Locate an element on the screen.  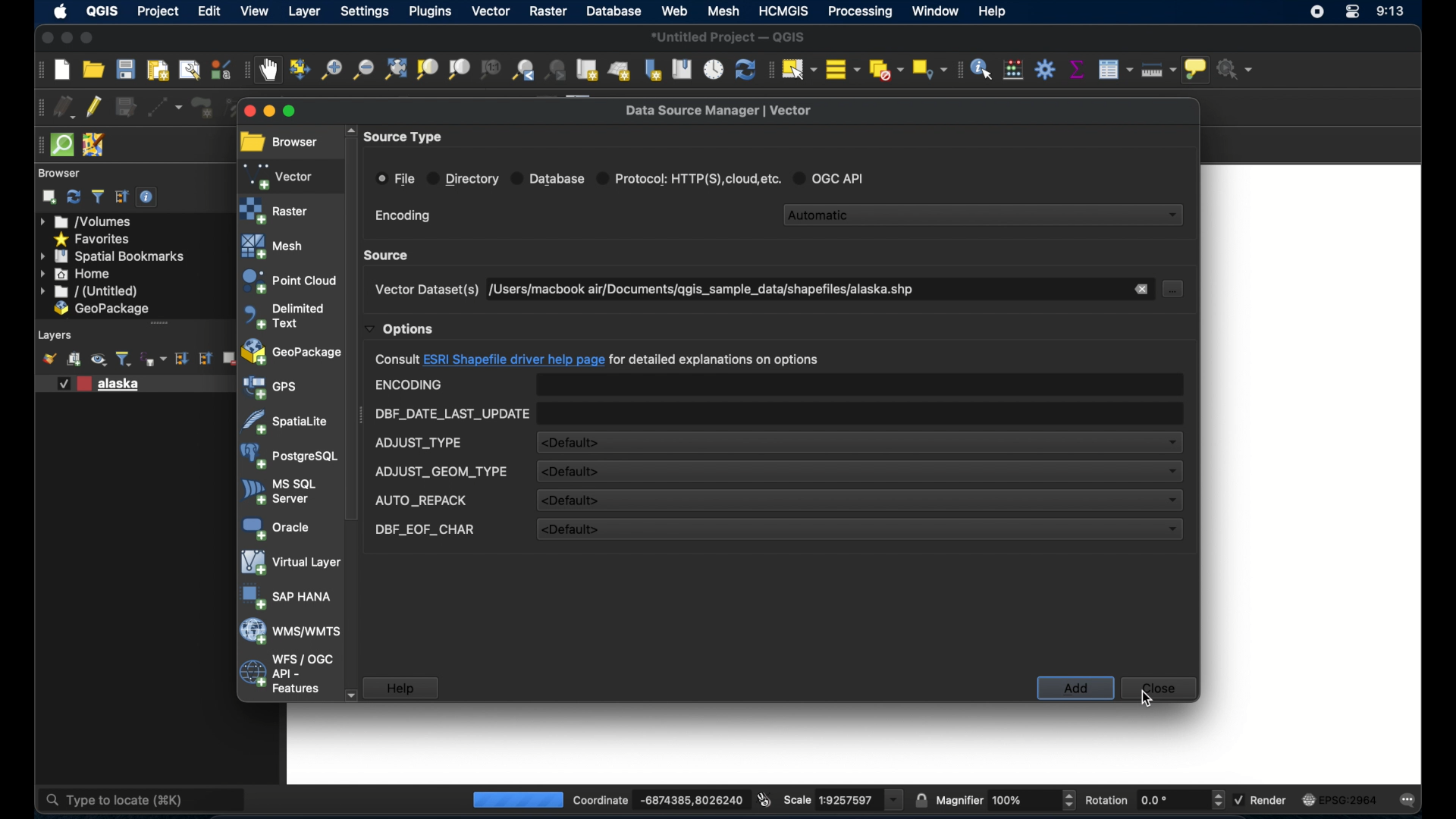
source is located at coordinates (389, 255).